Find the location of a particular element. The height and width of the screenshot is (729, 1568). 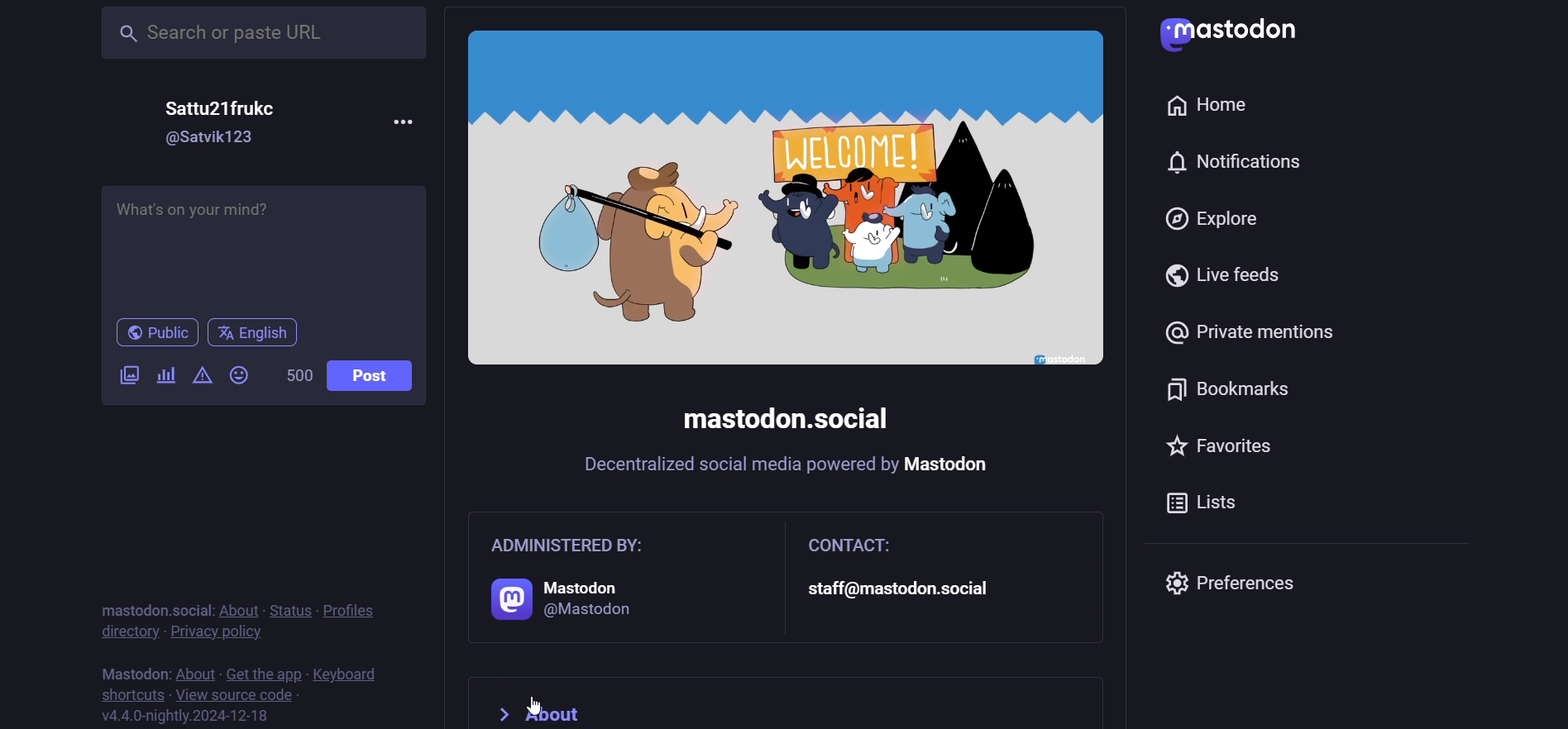

favorite is located at coordinates (1231, 450).